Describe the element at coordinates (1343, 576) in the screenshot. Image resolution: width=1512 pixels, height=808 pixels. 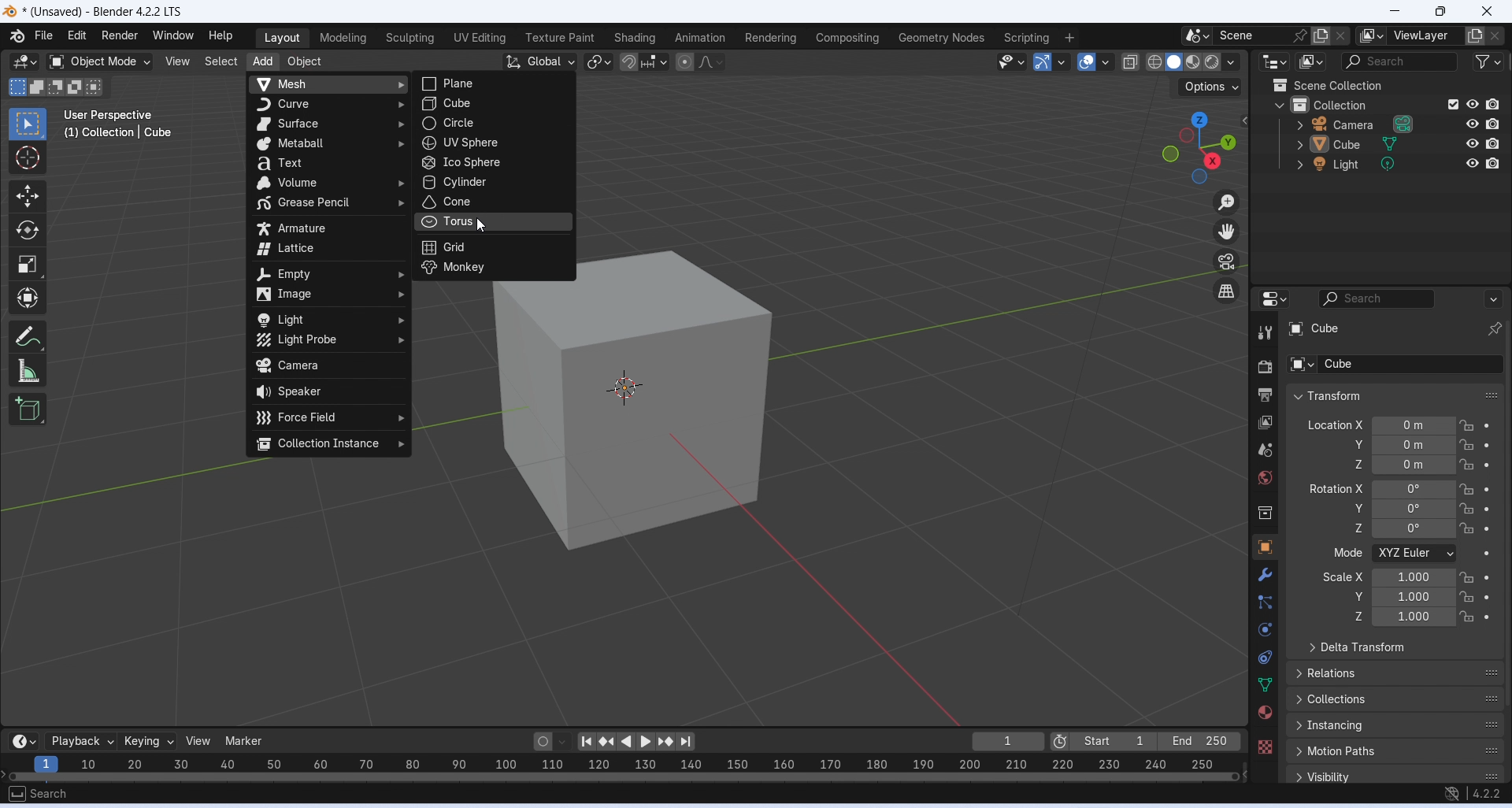
I see `Scale  X` at that location.